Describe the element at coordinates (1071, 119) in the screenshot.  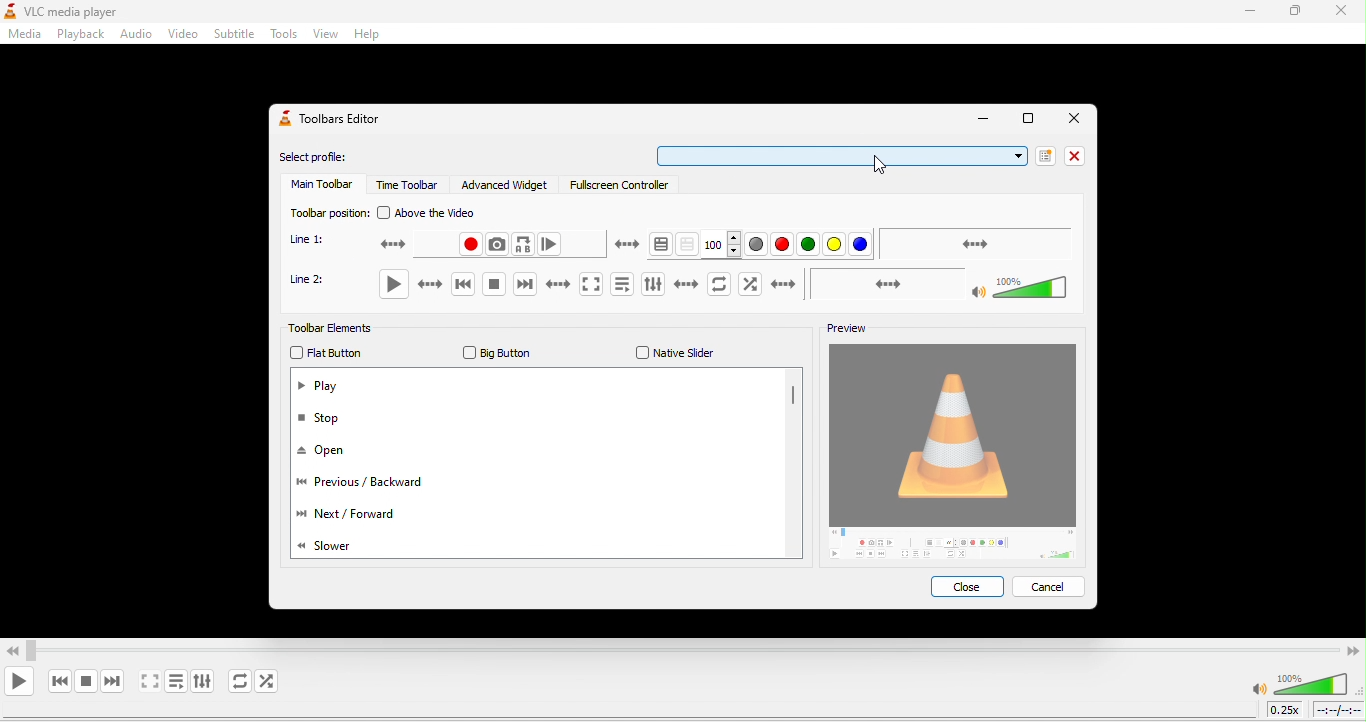
I see `close` at that location.